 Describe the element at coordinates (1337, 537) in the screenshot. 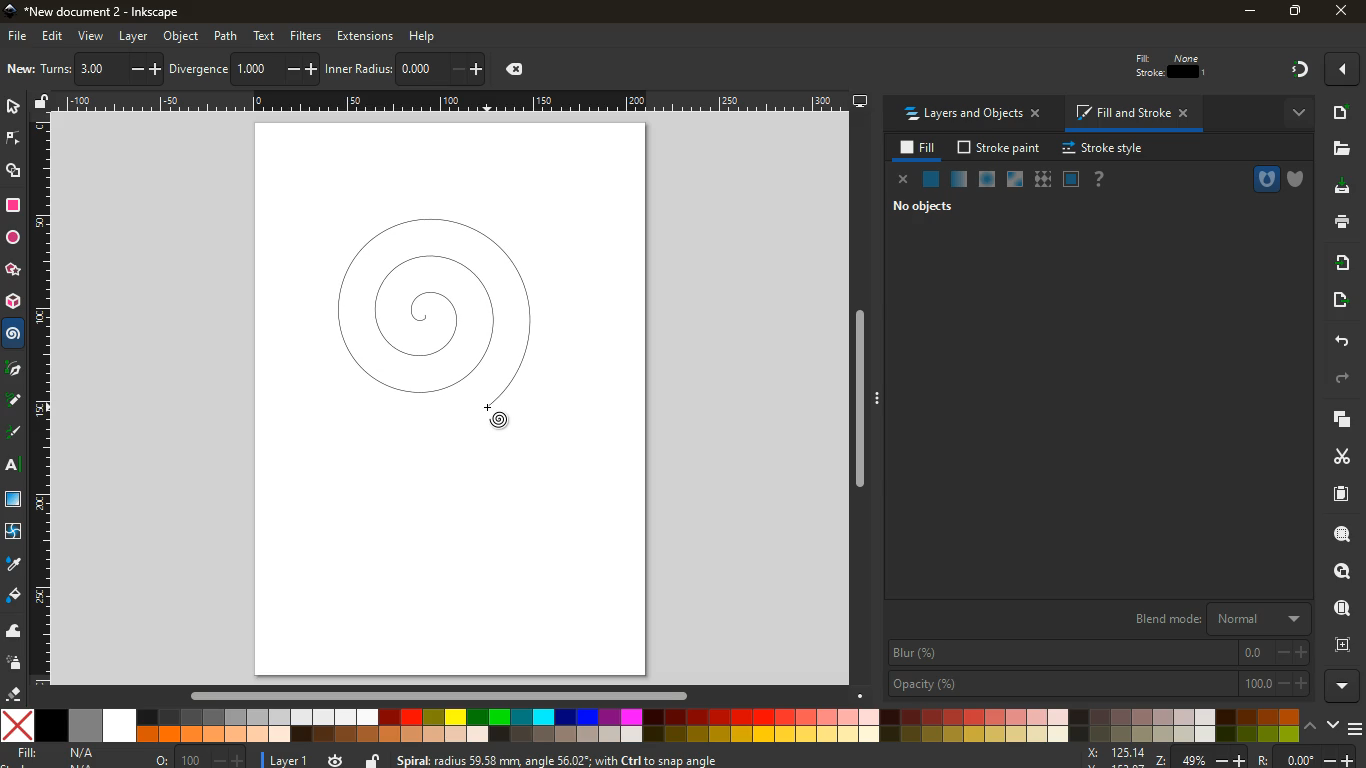

I see `search` at that location.